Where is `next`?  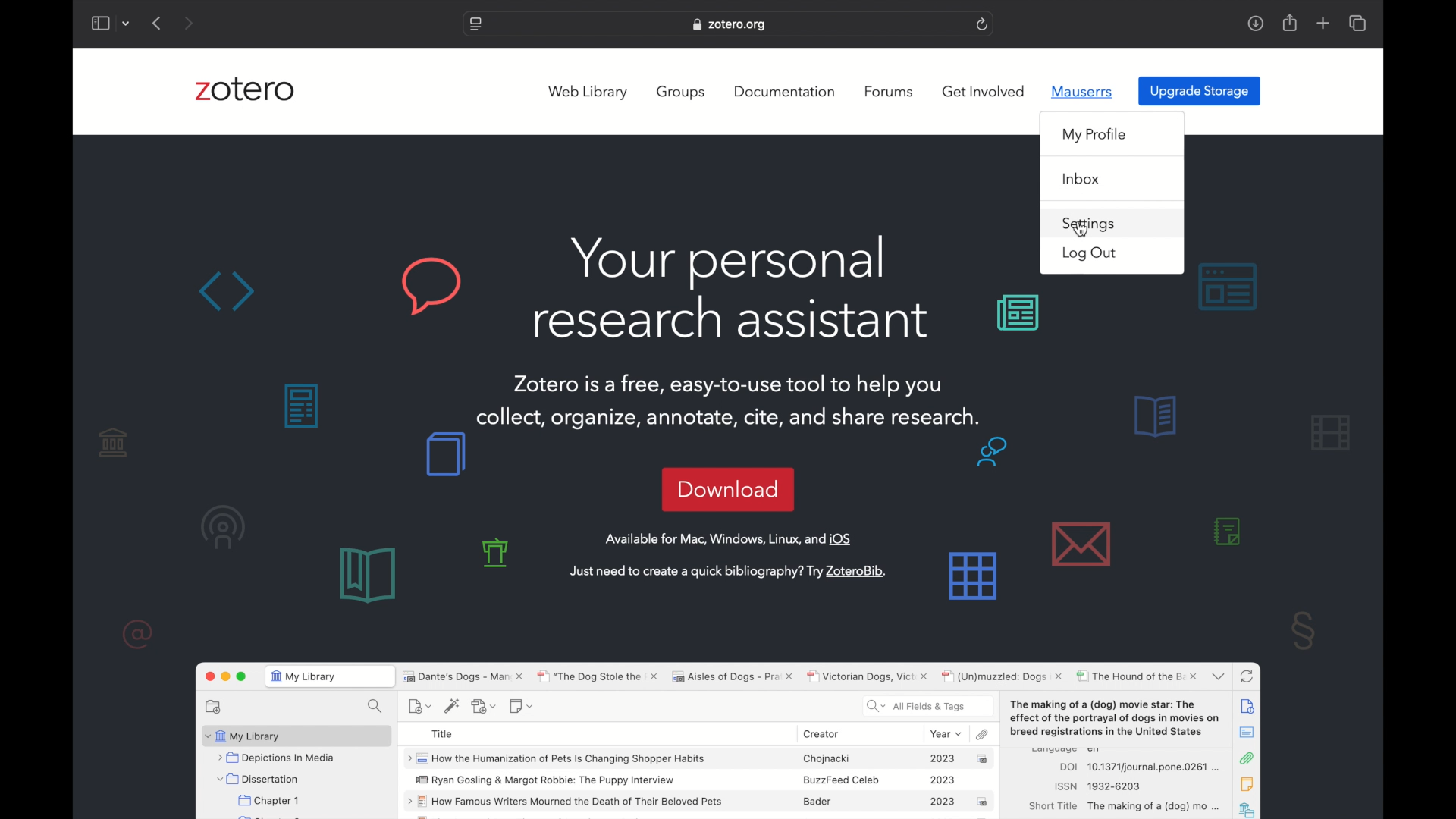
next is located at coordinates (190, 23).